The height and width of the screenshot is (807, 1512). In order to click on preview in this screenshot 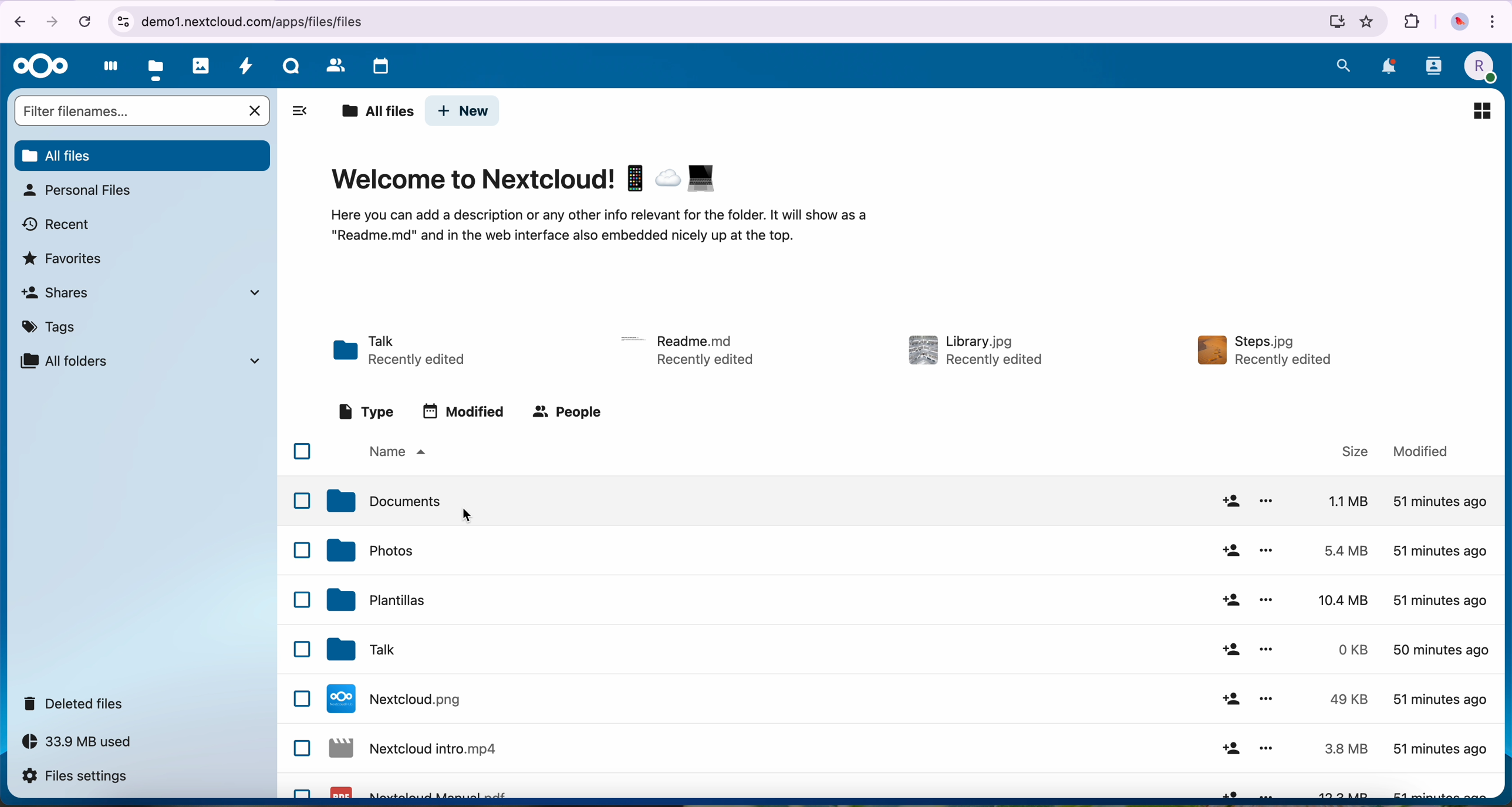, I will do `click(1481, 109)`.